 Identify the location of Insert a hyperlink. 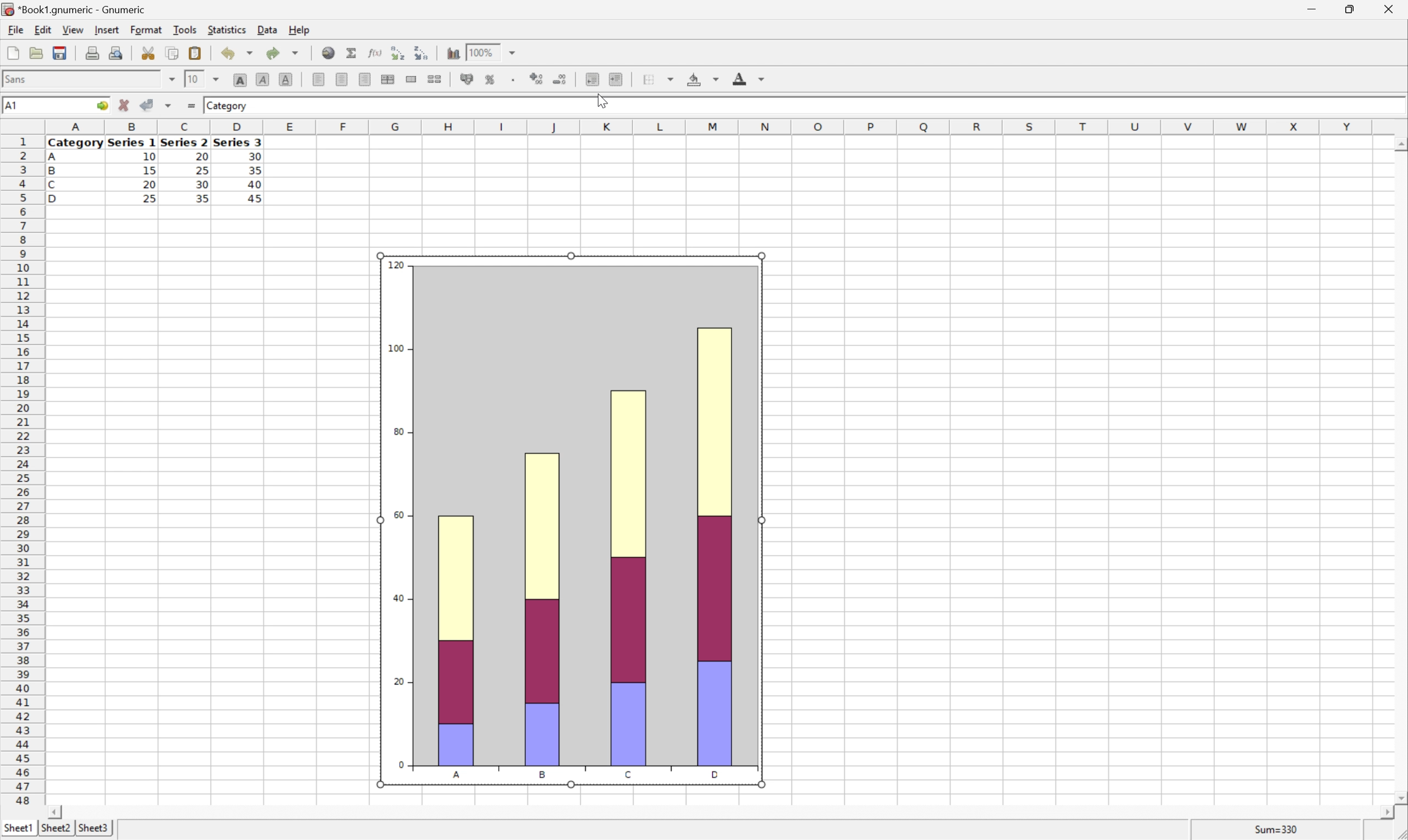
(328, 52).